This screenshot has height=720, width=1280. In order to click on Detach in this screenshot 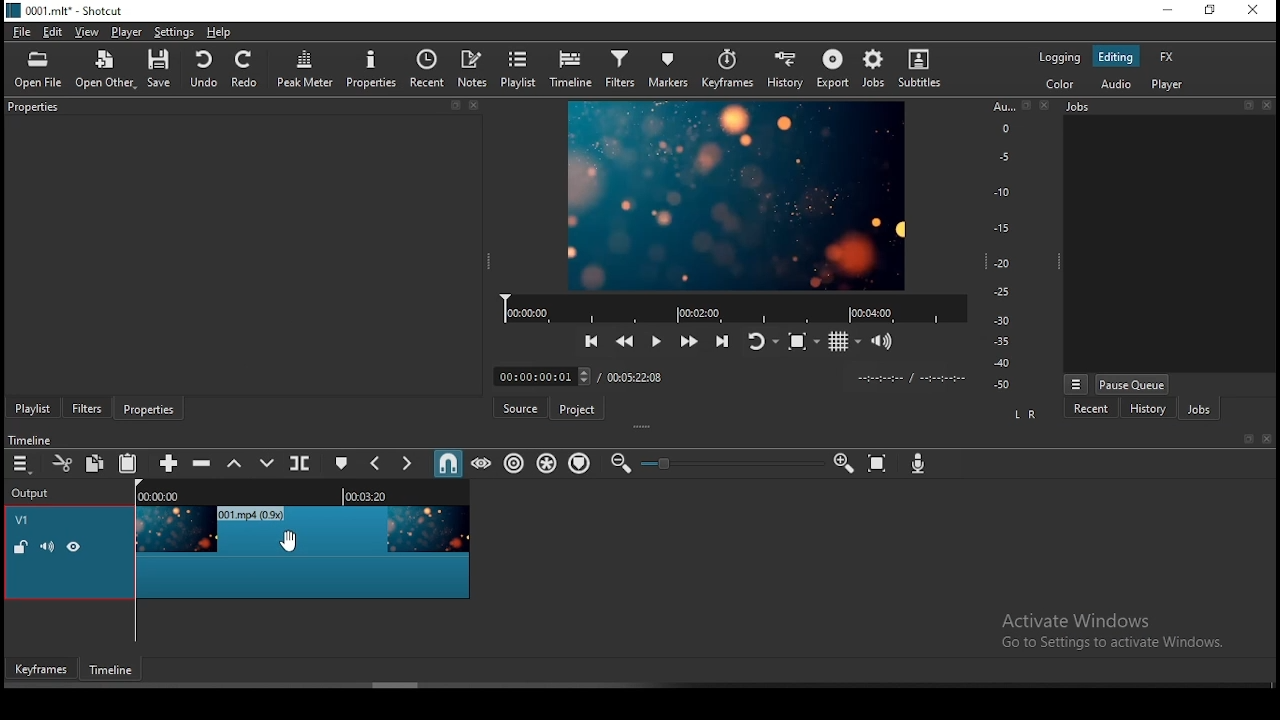, I will do `click(1026, 105)`.